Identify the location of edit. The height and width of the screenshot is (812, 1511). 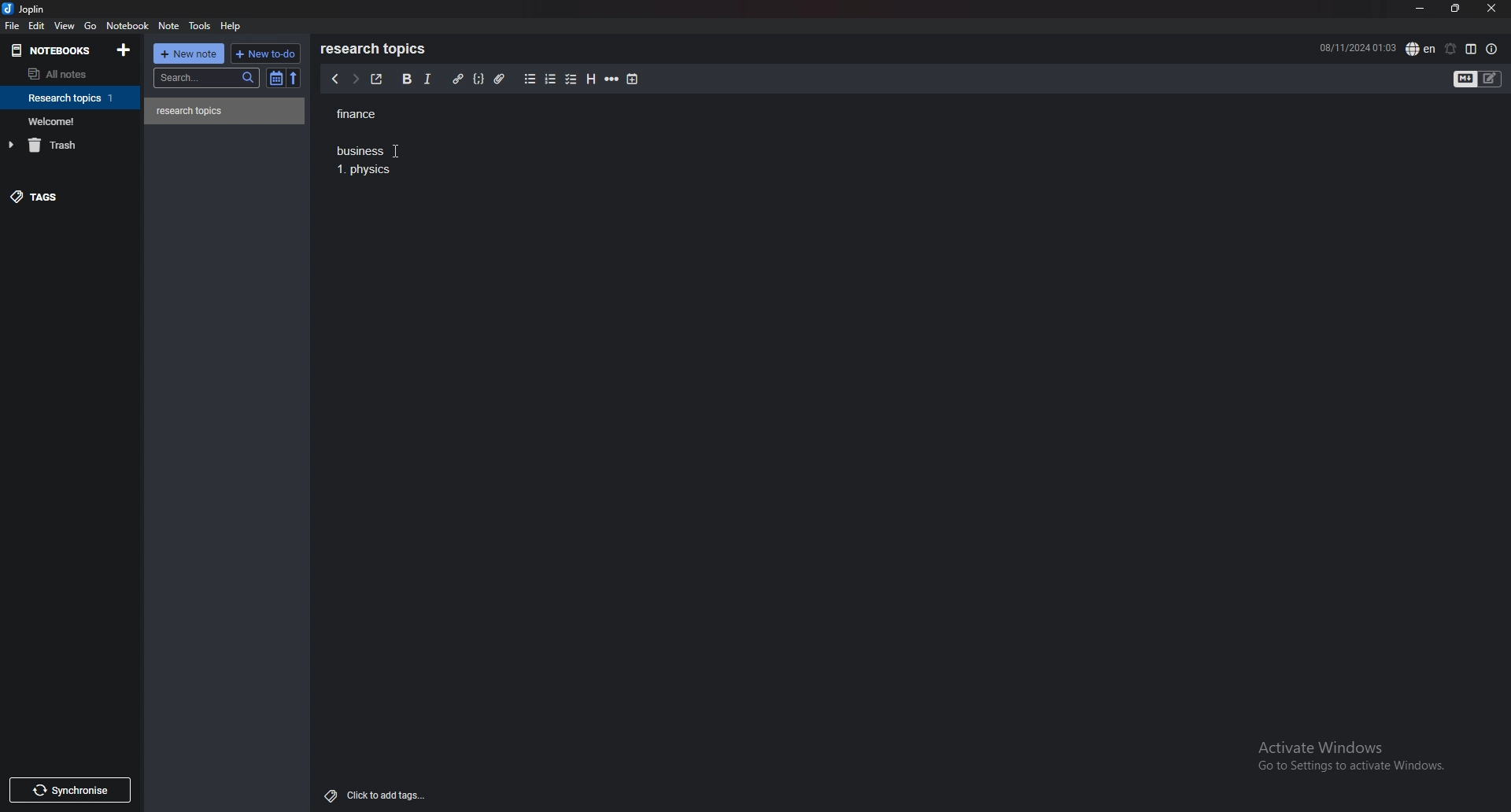
(36, 25).